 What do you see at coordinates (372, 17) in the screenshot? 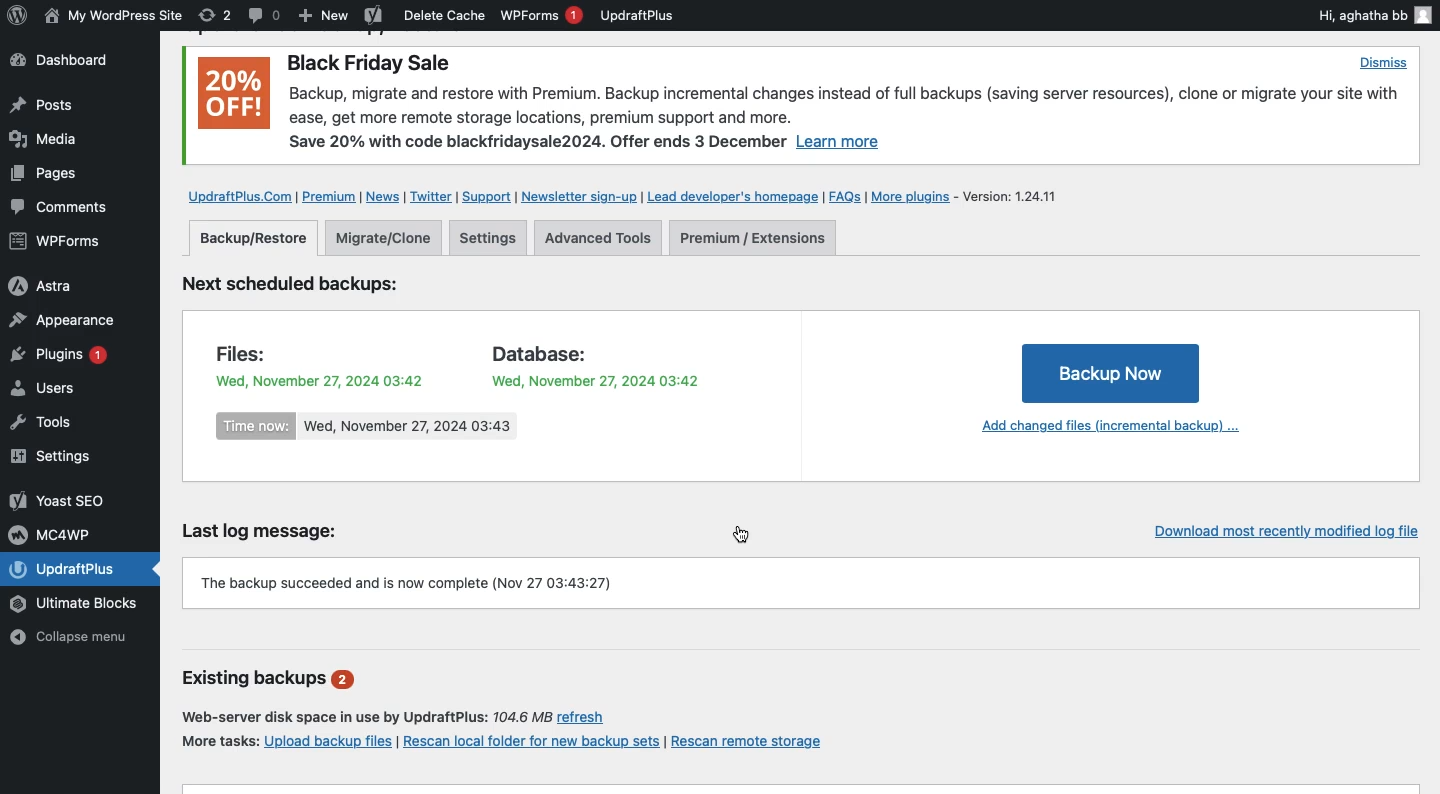
I see `Yoast` at bounding box center [372, 17].